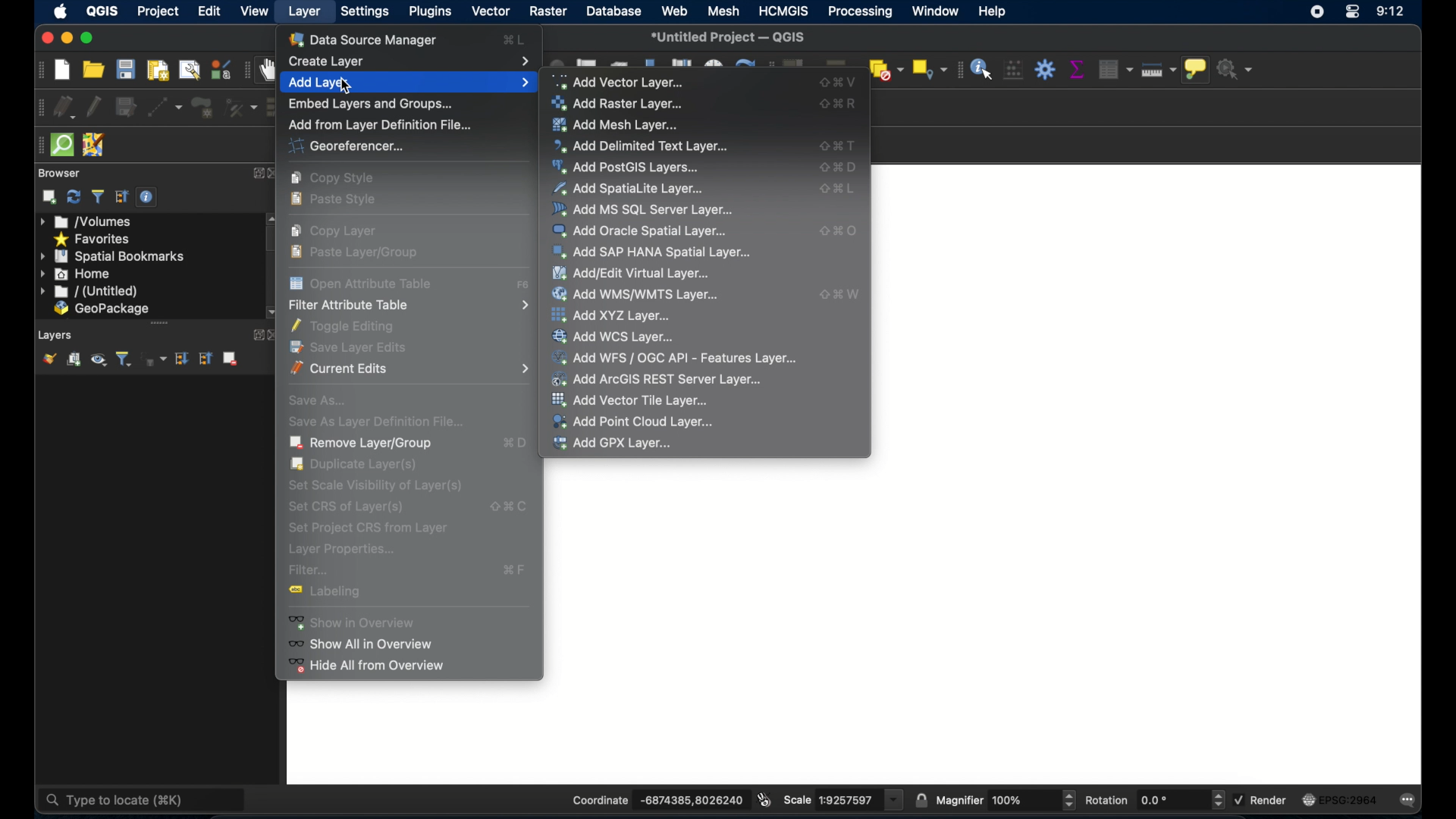 This screenshot has height=819, width=1456. Describe the element at coordinates (617, 444) in the screenshot. I see `Add GPX Layer...` at that location.